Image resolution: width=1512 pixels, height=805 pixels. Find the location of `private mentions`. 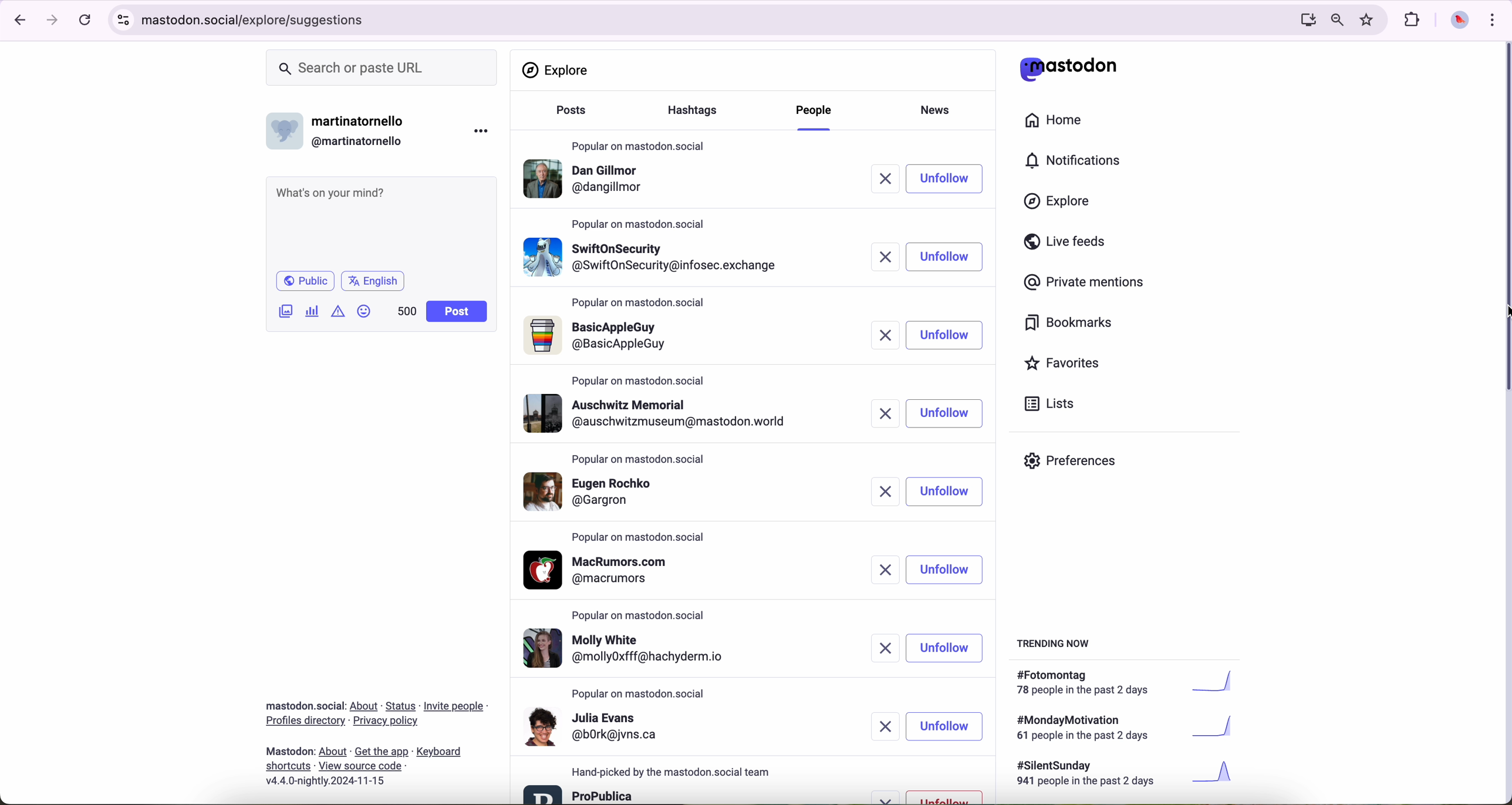

private mentions is located at coordinates (1085, 283).